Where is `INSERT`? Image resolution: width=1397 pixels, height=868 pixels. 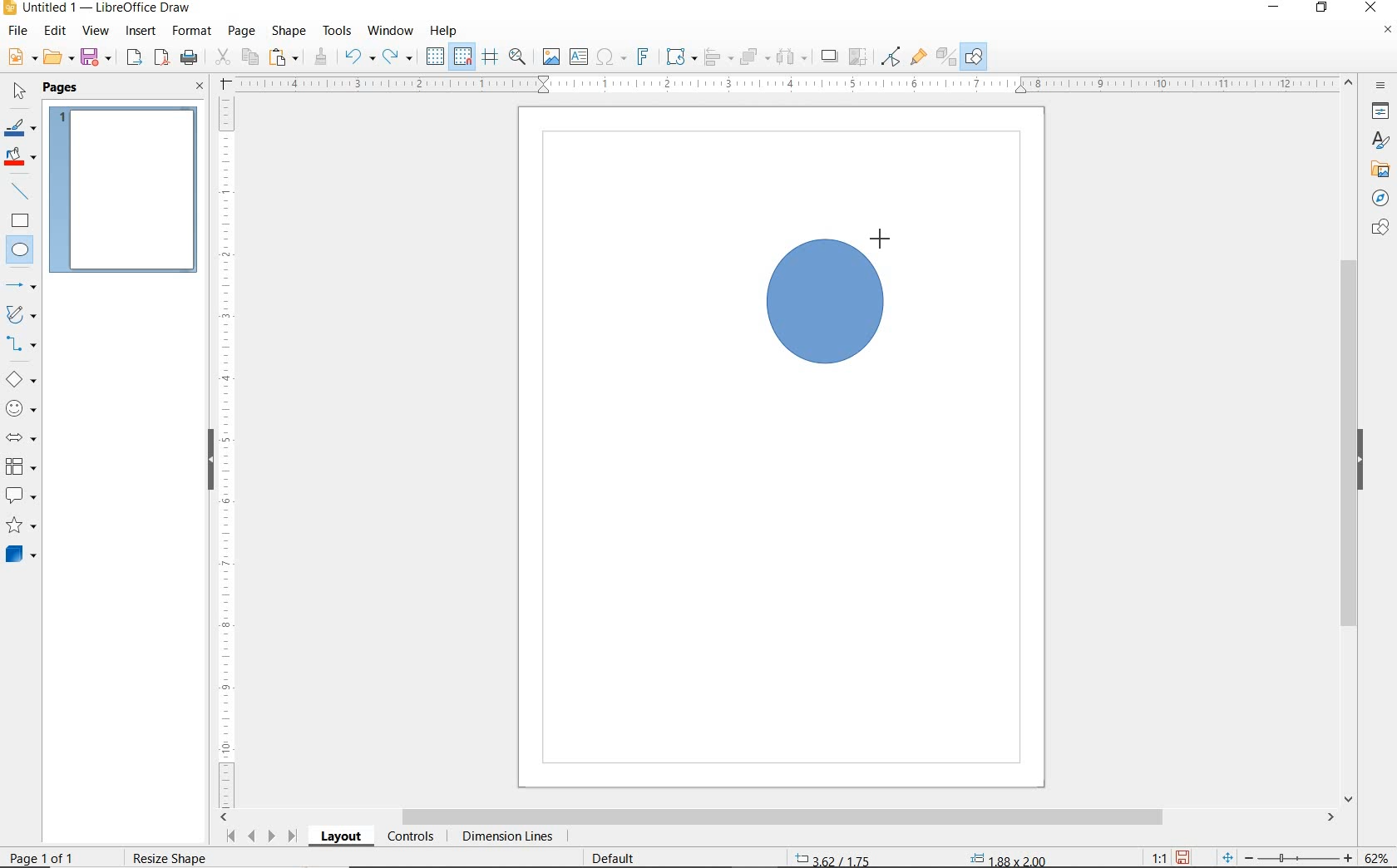 INSERT is located at coordinates (143, 32).